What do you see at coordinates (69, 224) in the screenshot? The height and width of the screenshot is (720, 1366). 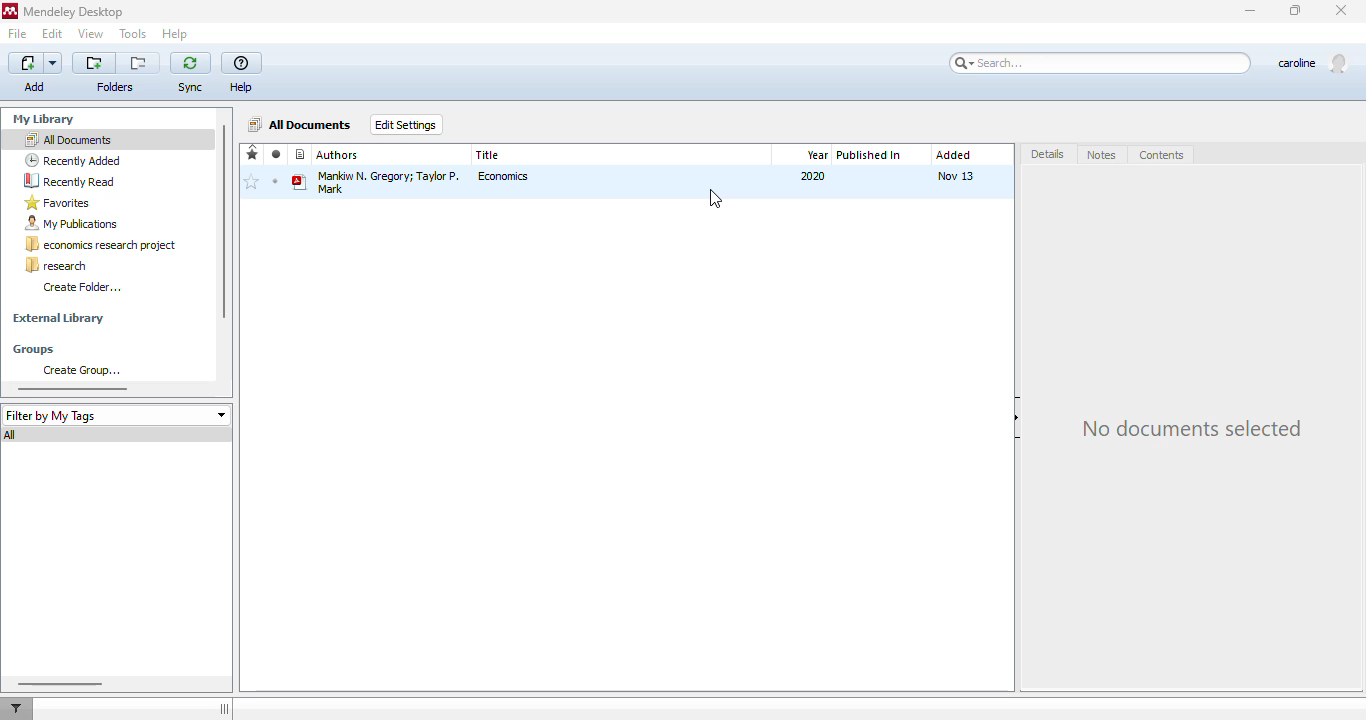 I see `my publications` at bounding box center [69, 224].